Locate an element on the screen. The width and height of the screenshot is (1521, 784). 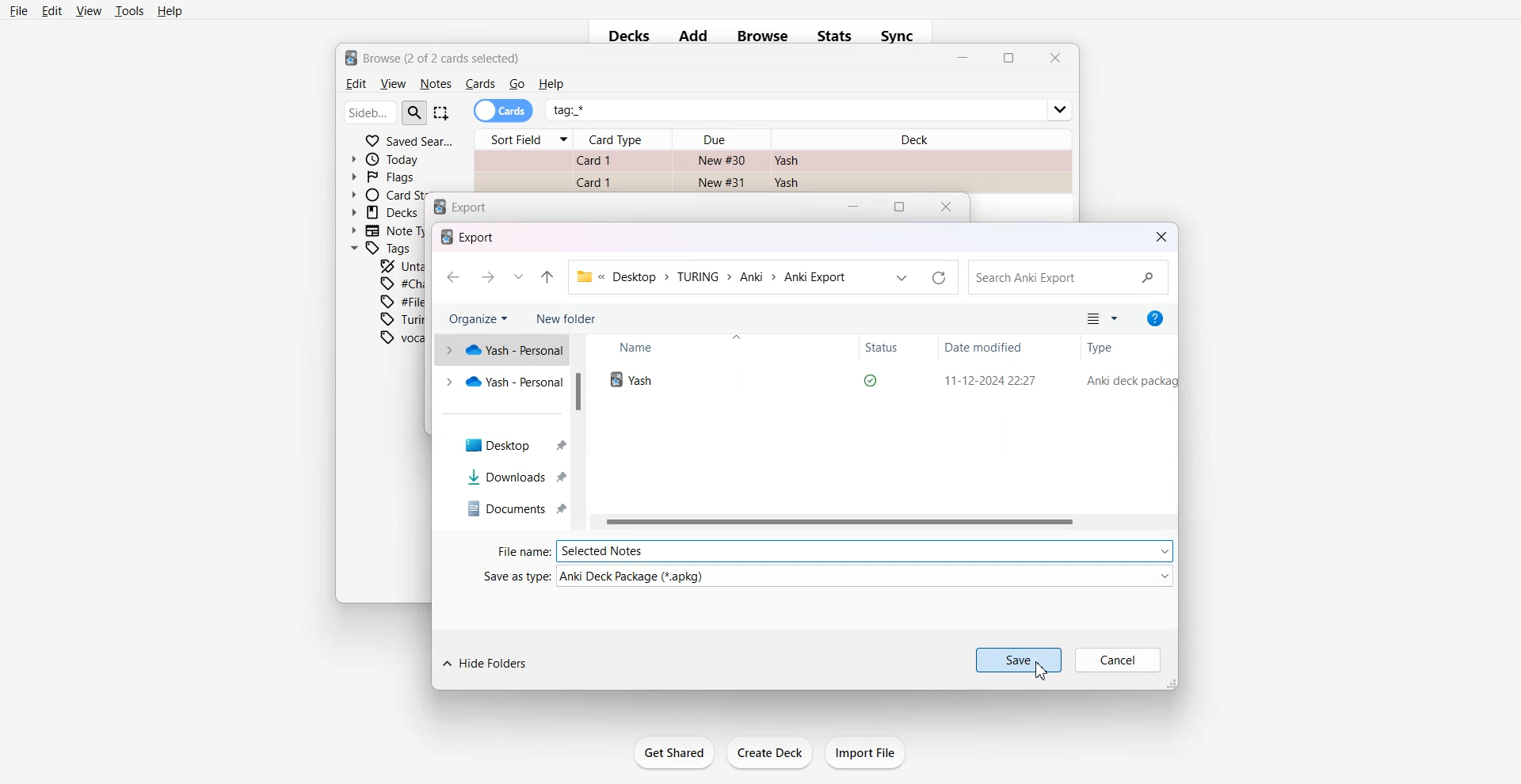
Go Forward is located at coordinates (487, 276).